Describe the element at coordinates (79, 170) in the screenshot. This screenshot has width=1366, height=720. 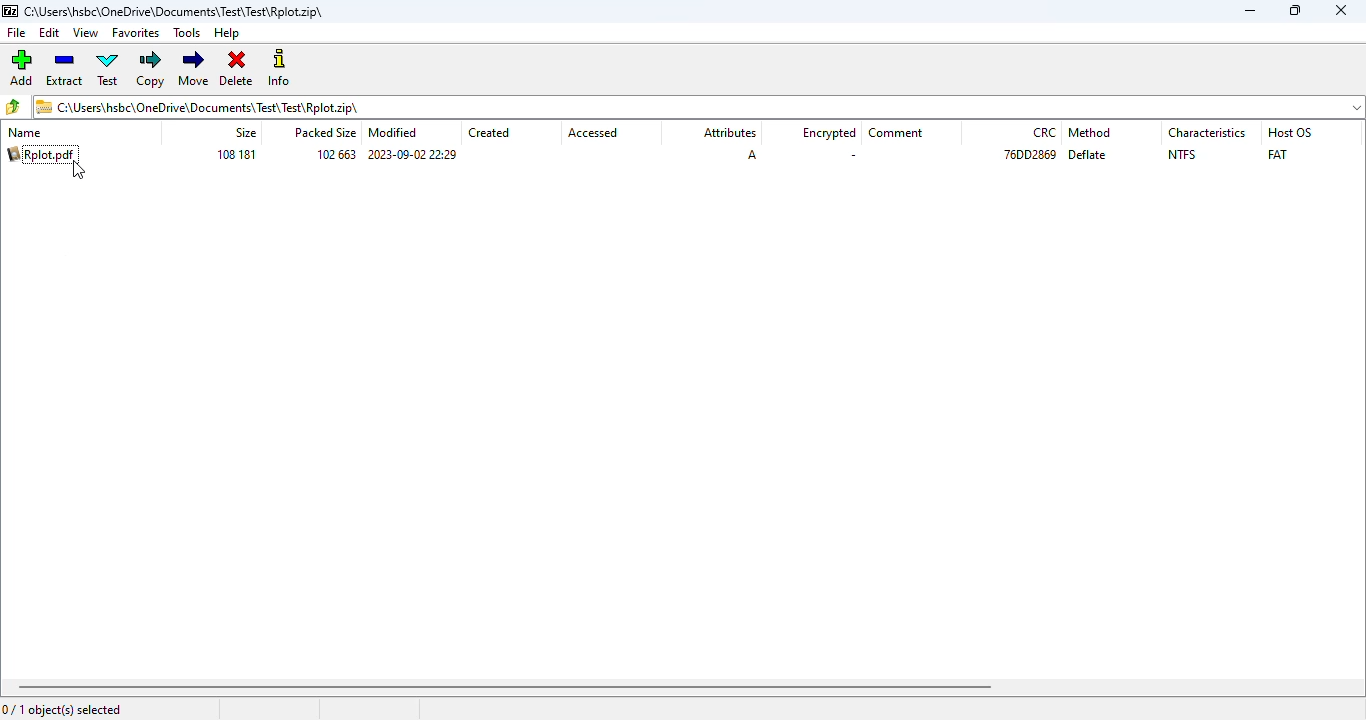
I see `cursor` at that location.